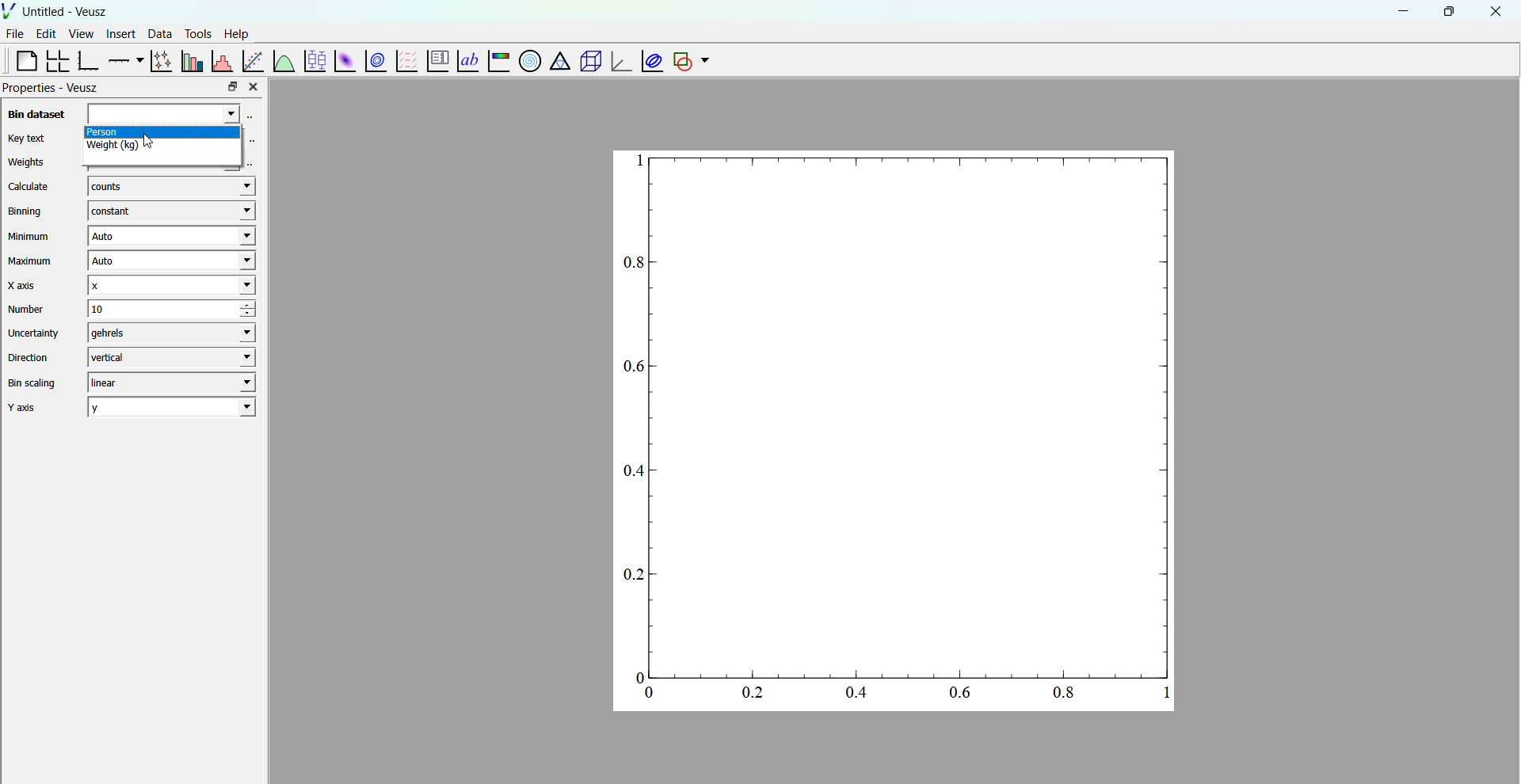 Image resolution: width=1521 pixels, height=784 pixels. I want to click on maximize property bar, so click(233, 87).